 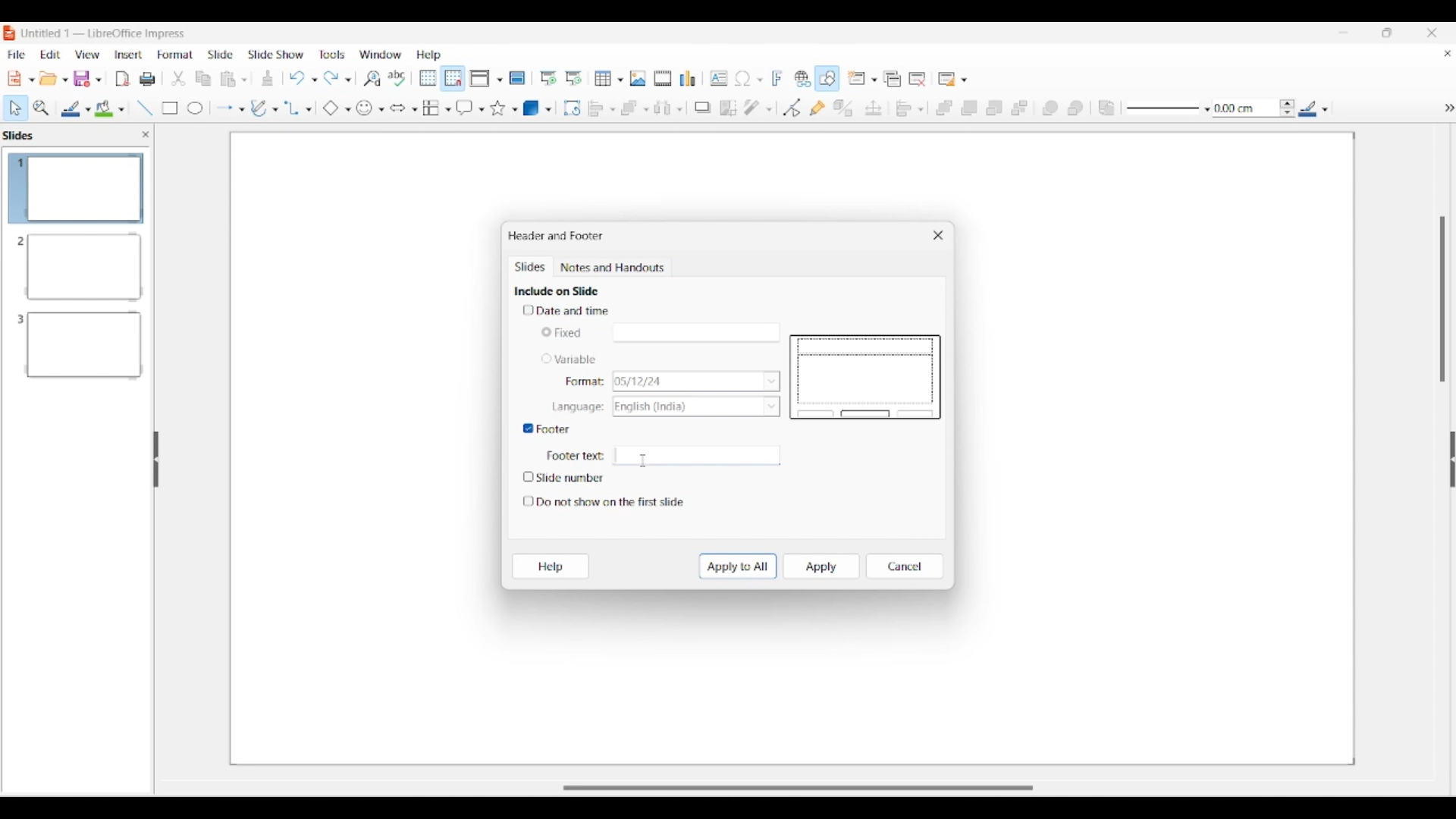 I want to click on Slides, current tab highlighted, so click(x=532, y=268).